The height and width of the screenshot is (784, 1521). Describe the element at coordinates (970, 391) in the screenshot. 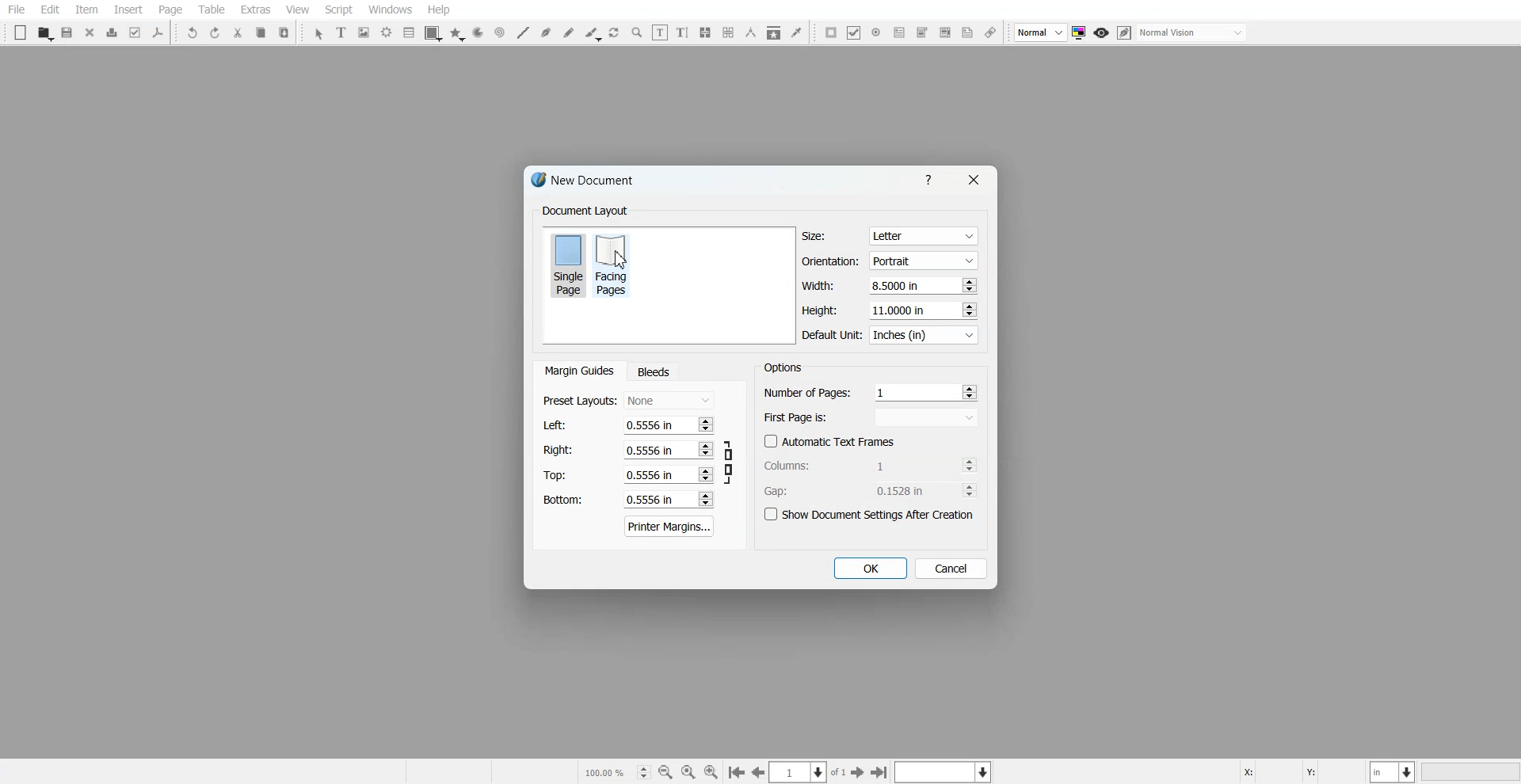

I see `Increase and decrease No. ` at that location.